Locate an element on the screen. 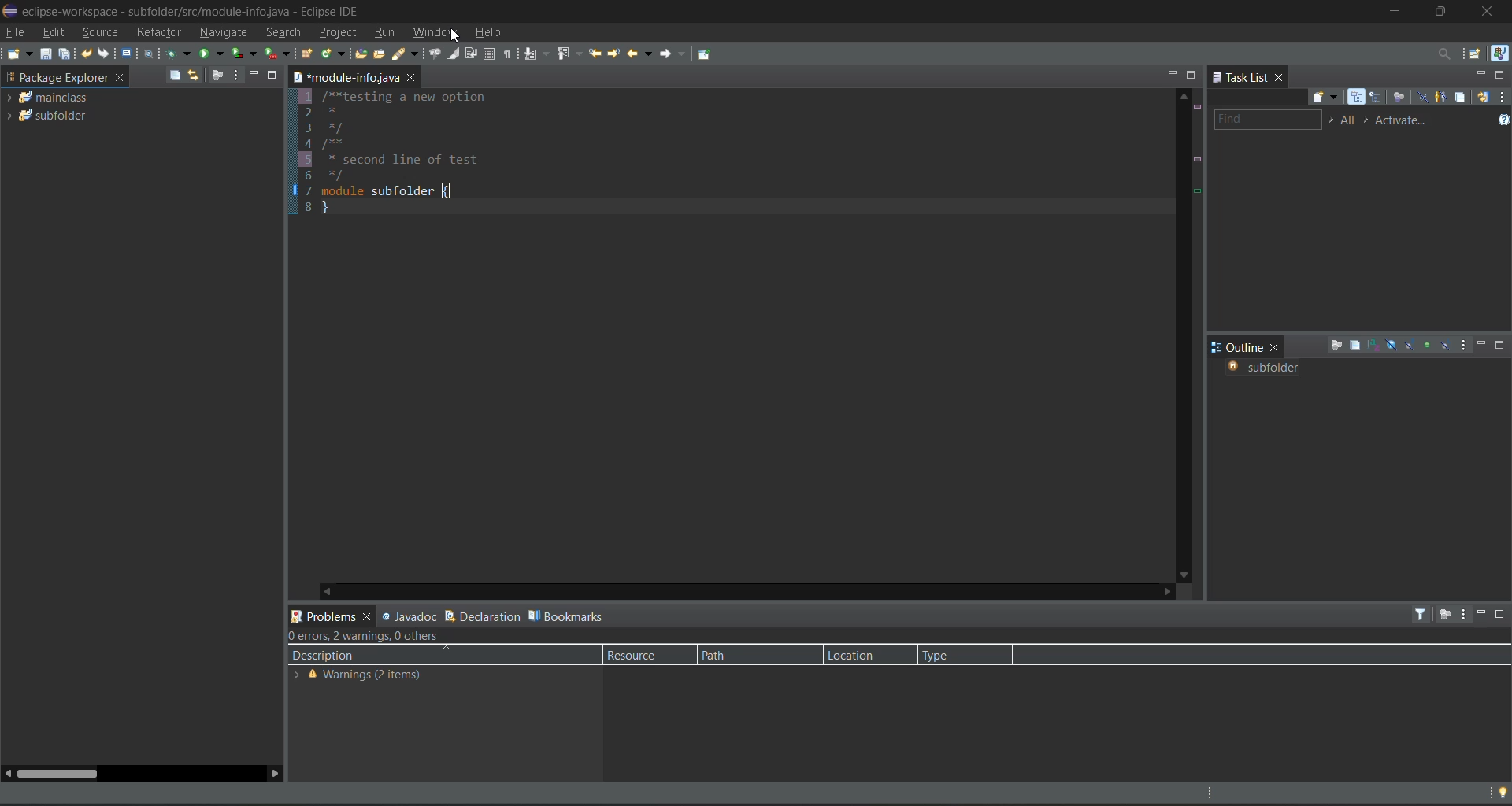  minimize is located at coordinates (1172, 74).